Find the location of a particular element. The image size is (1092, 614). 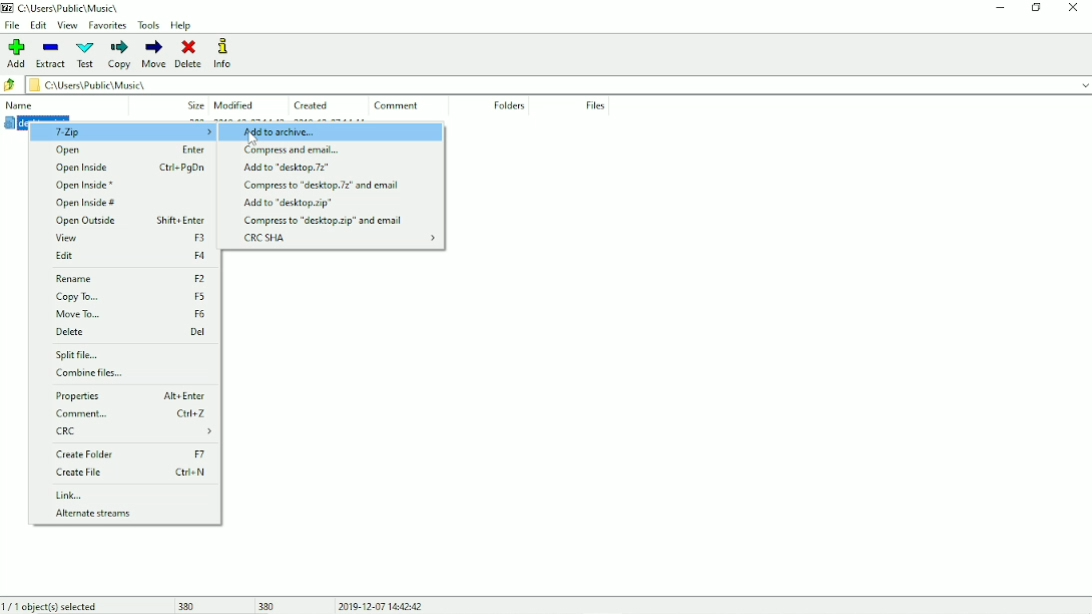

Open is located at coordinates (127, 151).